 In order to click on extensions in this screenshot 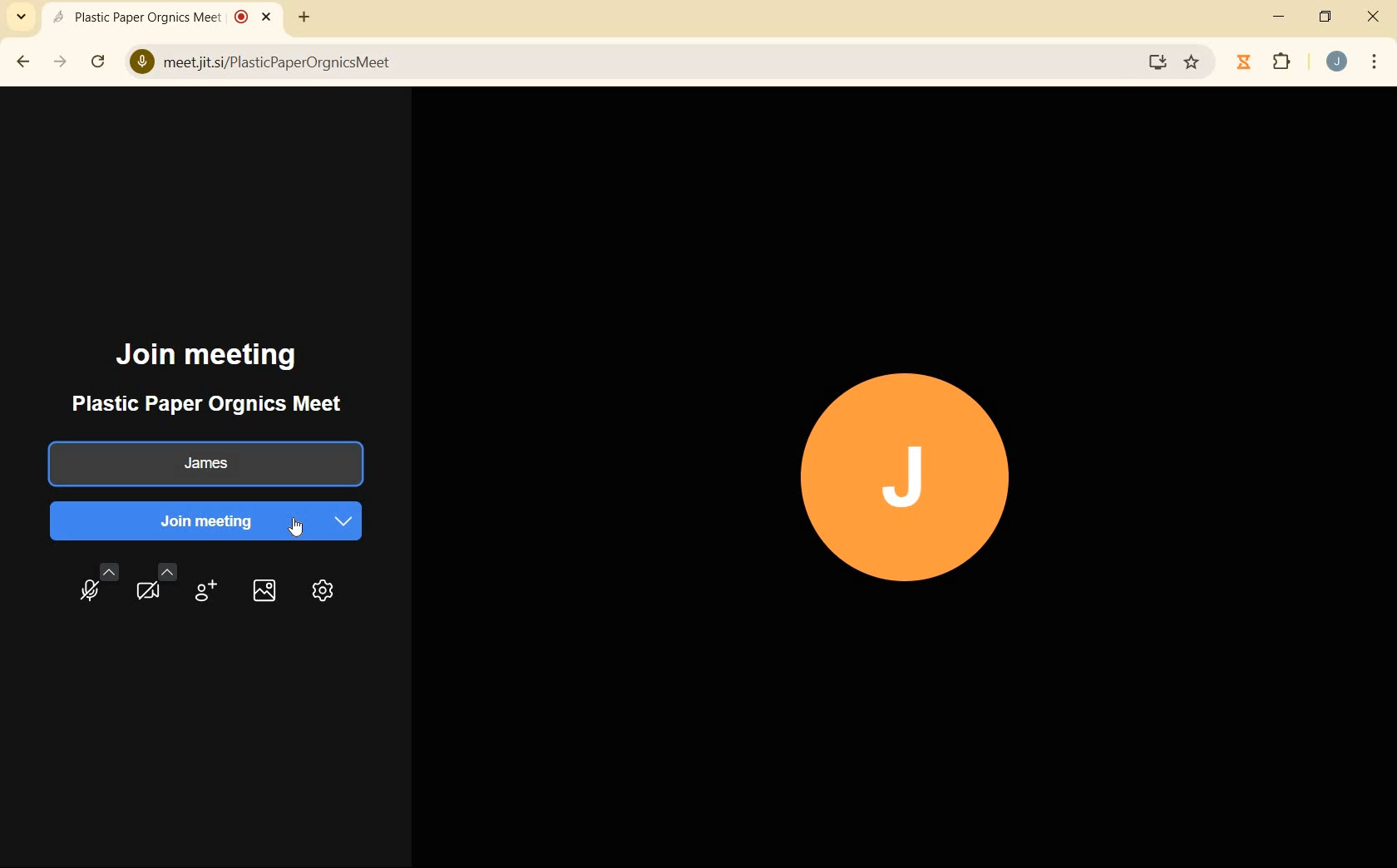, I will do `click(1282, 63)`.